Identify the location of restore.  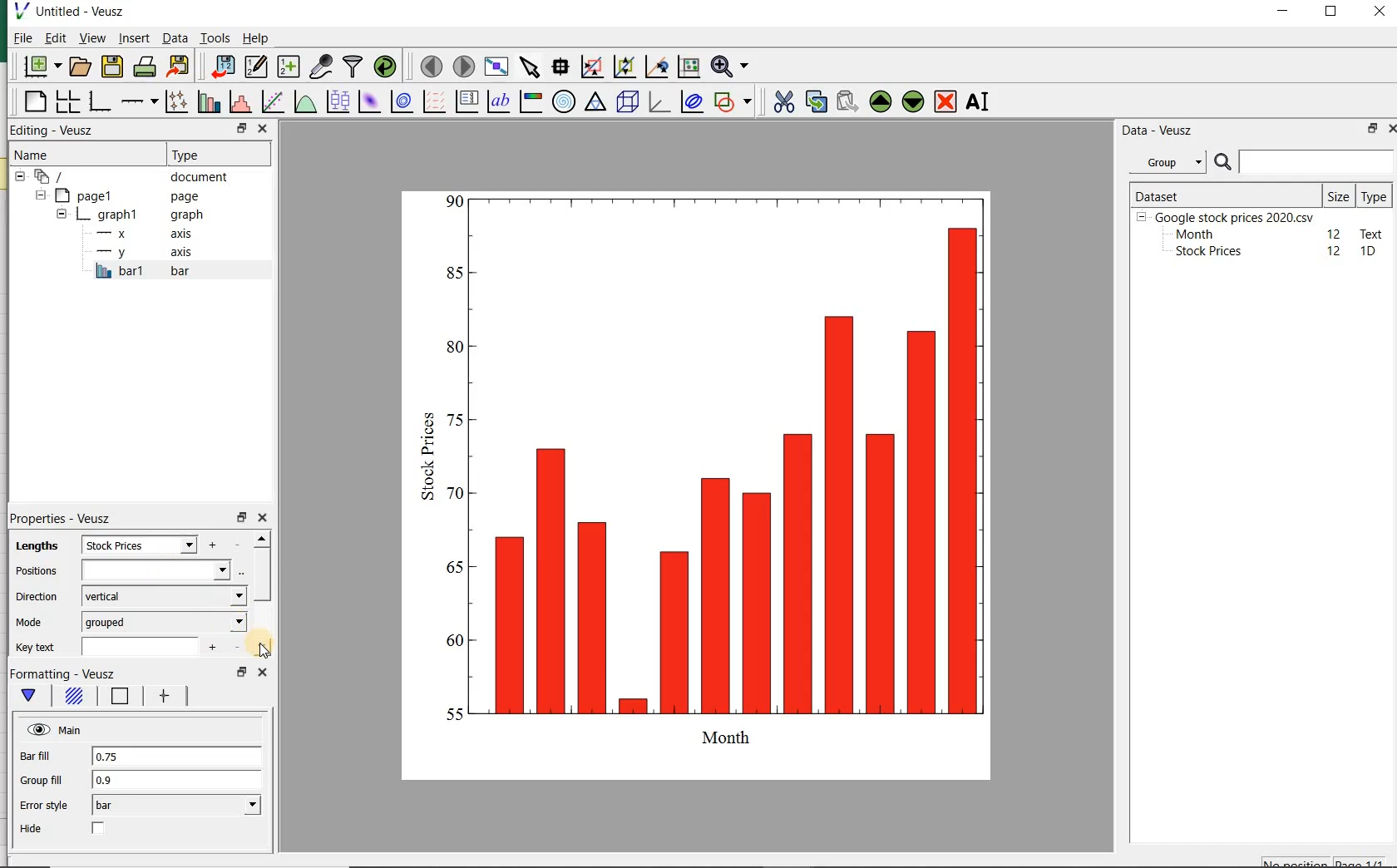
(240, 672).